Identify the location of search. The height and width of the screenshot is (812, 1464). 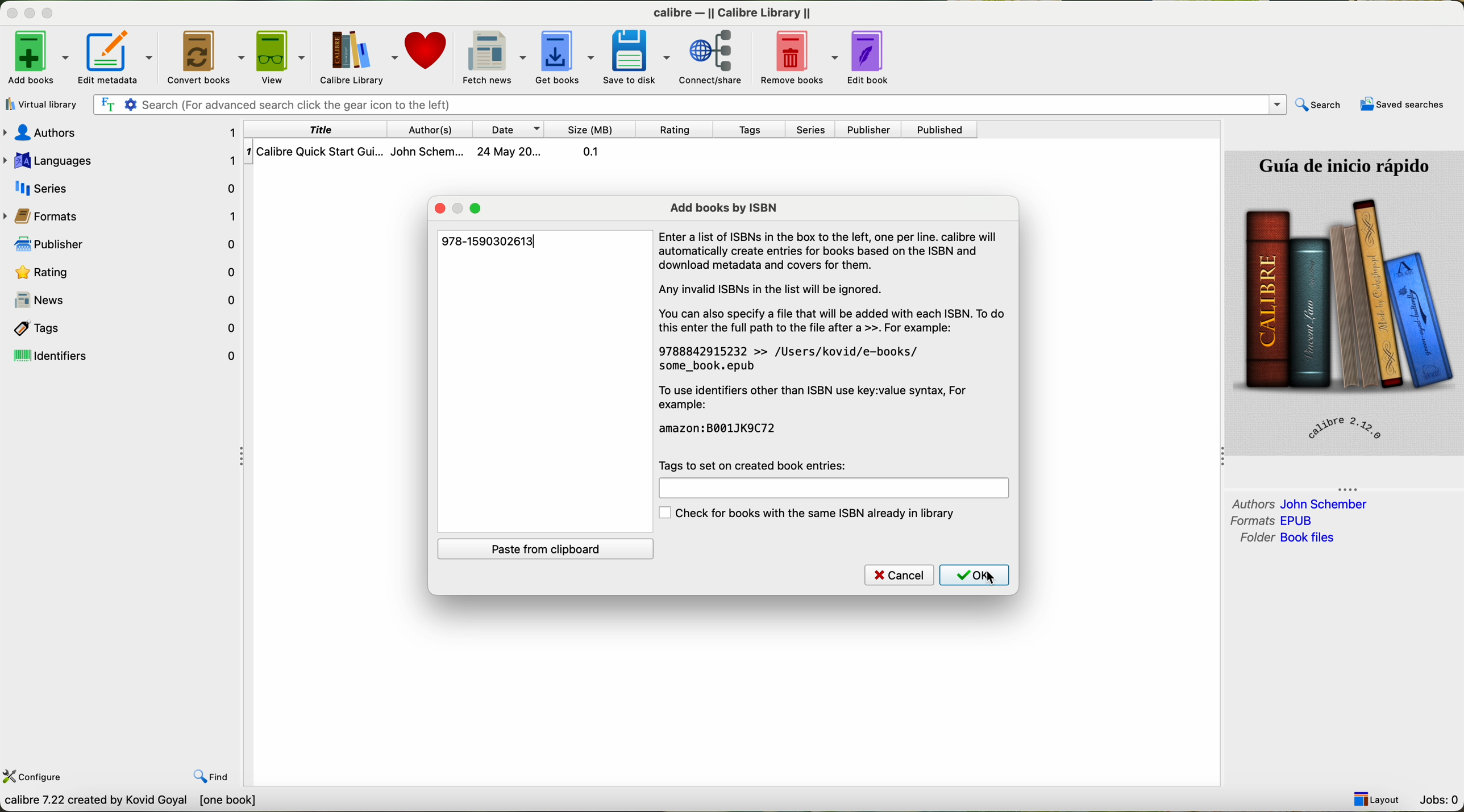
(1319, 105).